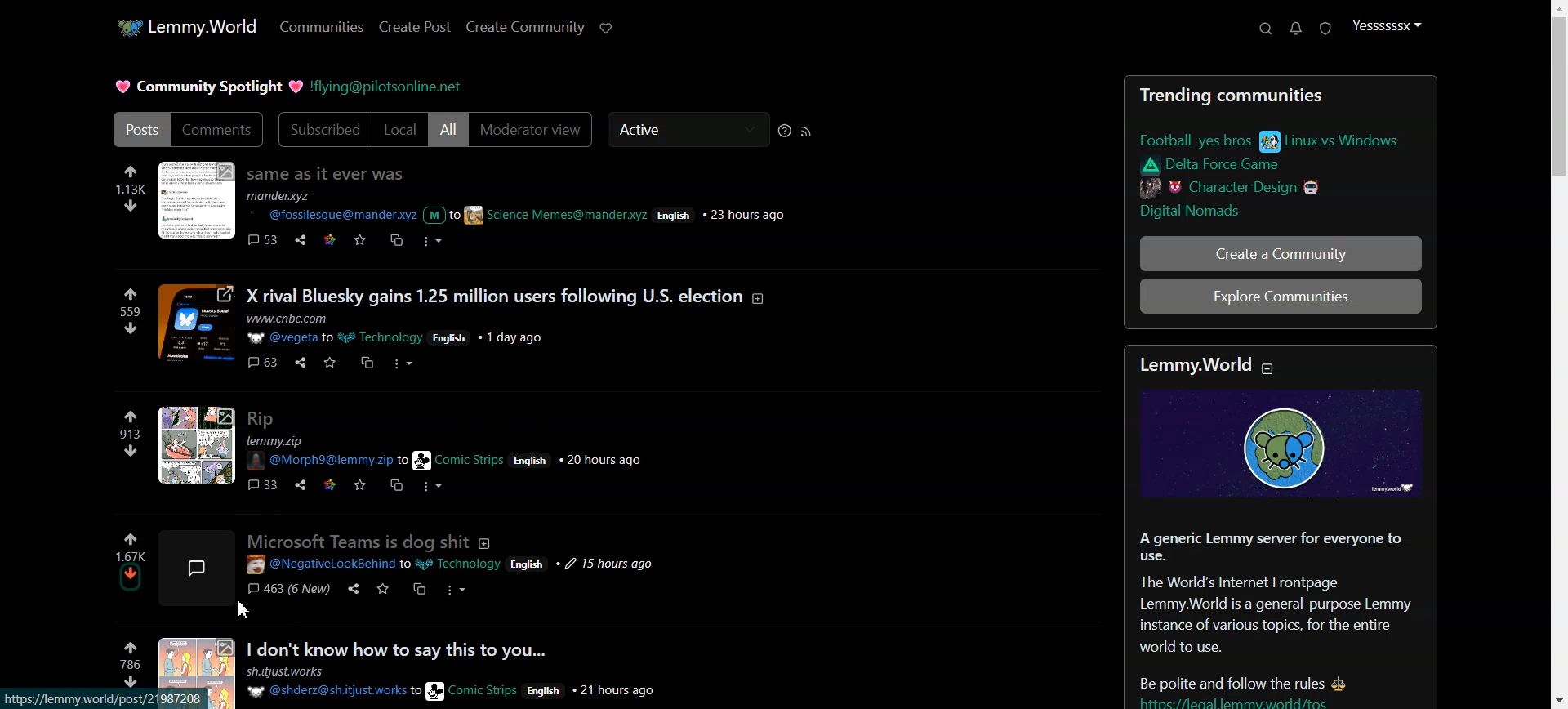 This screenshot has height=709, width=1568. What do you see at coordinates (1266, 28) in the screenshot?
I see `Search` at bounding box center [1266, 28].